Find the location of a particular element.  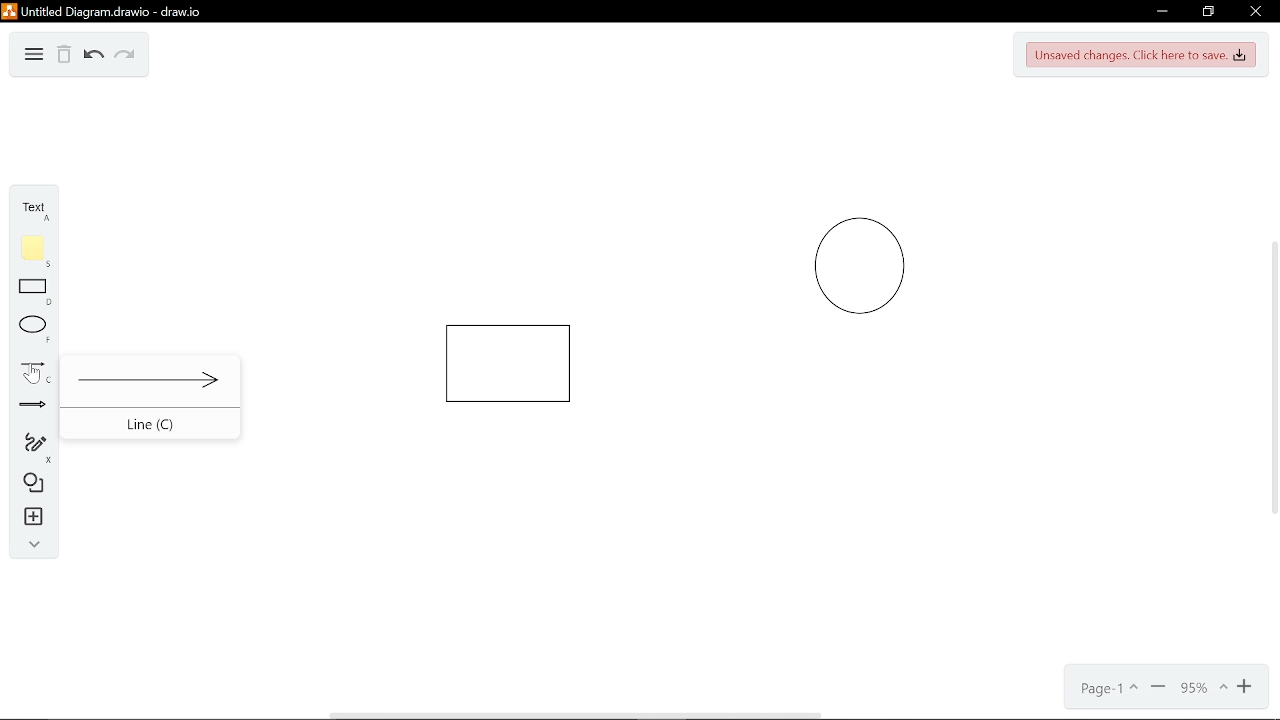

Close is located at coordinates (1254, 12).